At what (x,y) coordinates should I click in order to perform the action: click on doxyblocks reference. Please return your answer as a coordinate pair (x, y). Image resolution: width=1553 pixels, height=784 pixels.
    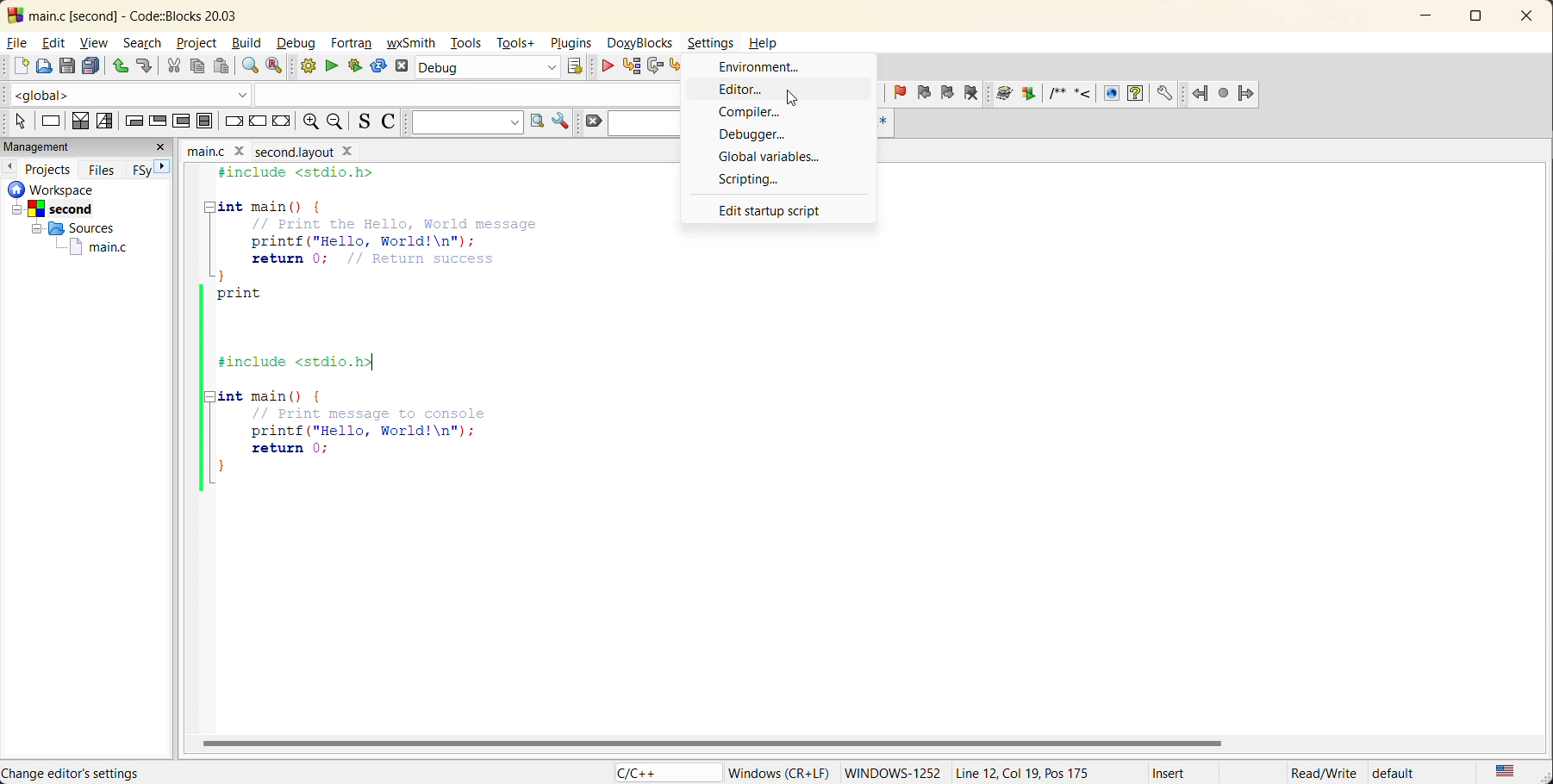
    Looking at the image, I should click on (1088, 94).